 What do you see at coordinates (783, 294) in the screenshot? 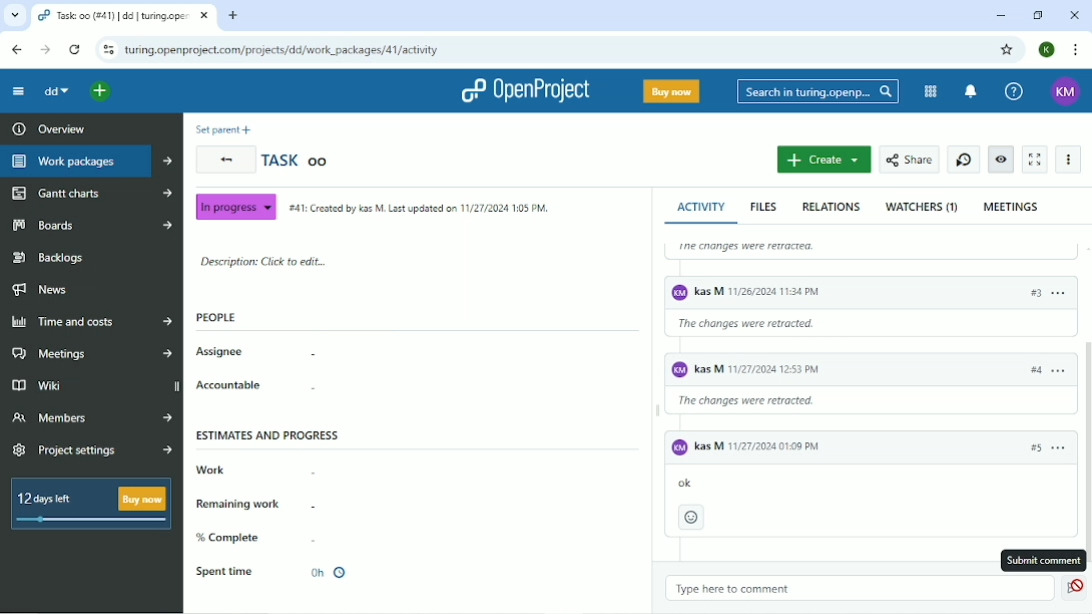
I see `KM Kas M 11/26/2024 11:34 PM` at bounding box center [783, 294].